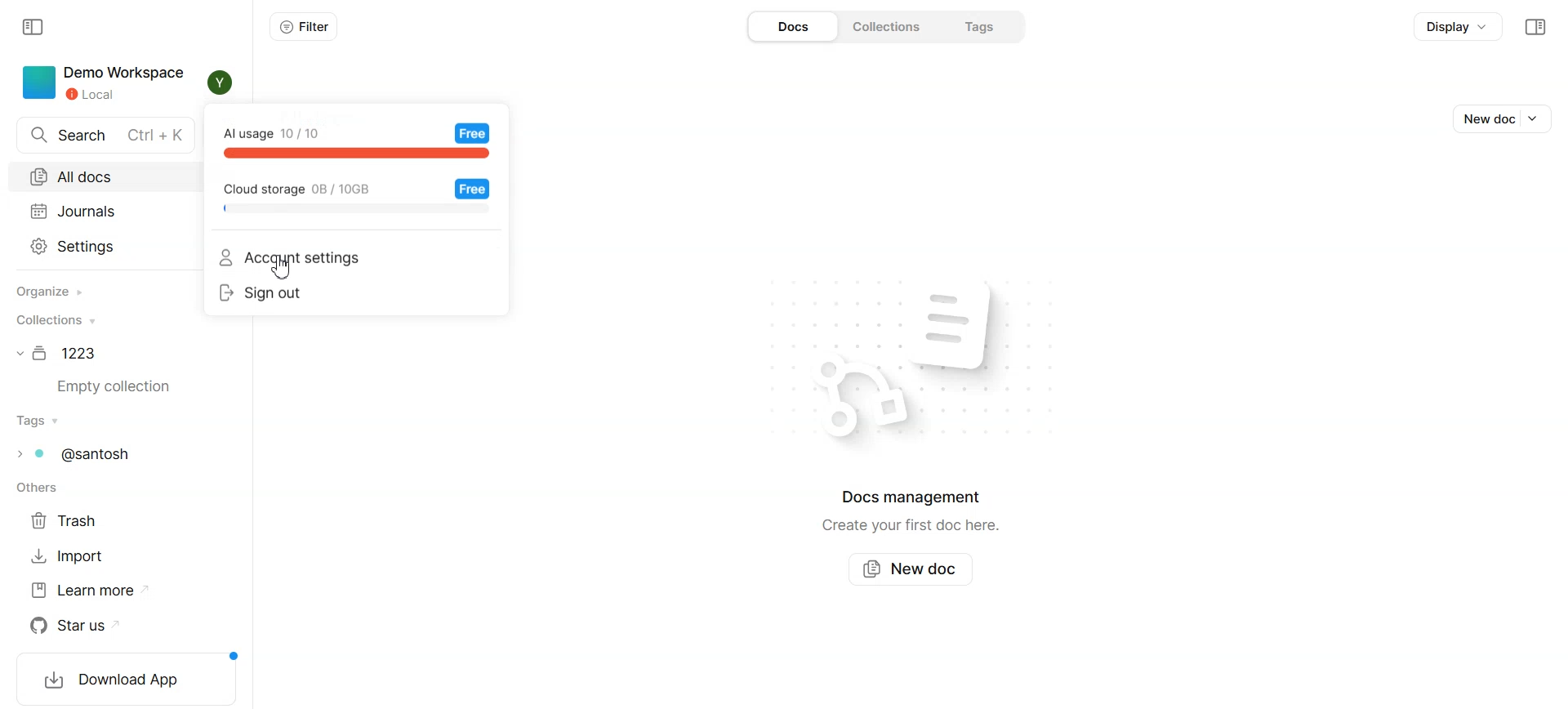 The width and height of the screenshot is (1568, 709). I want to click on AI Usage bar, so click(288, 131).